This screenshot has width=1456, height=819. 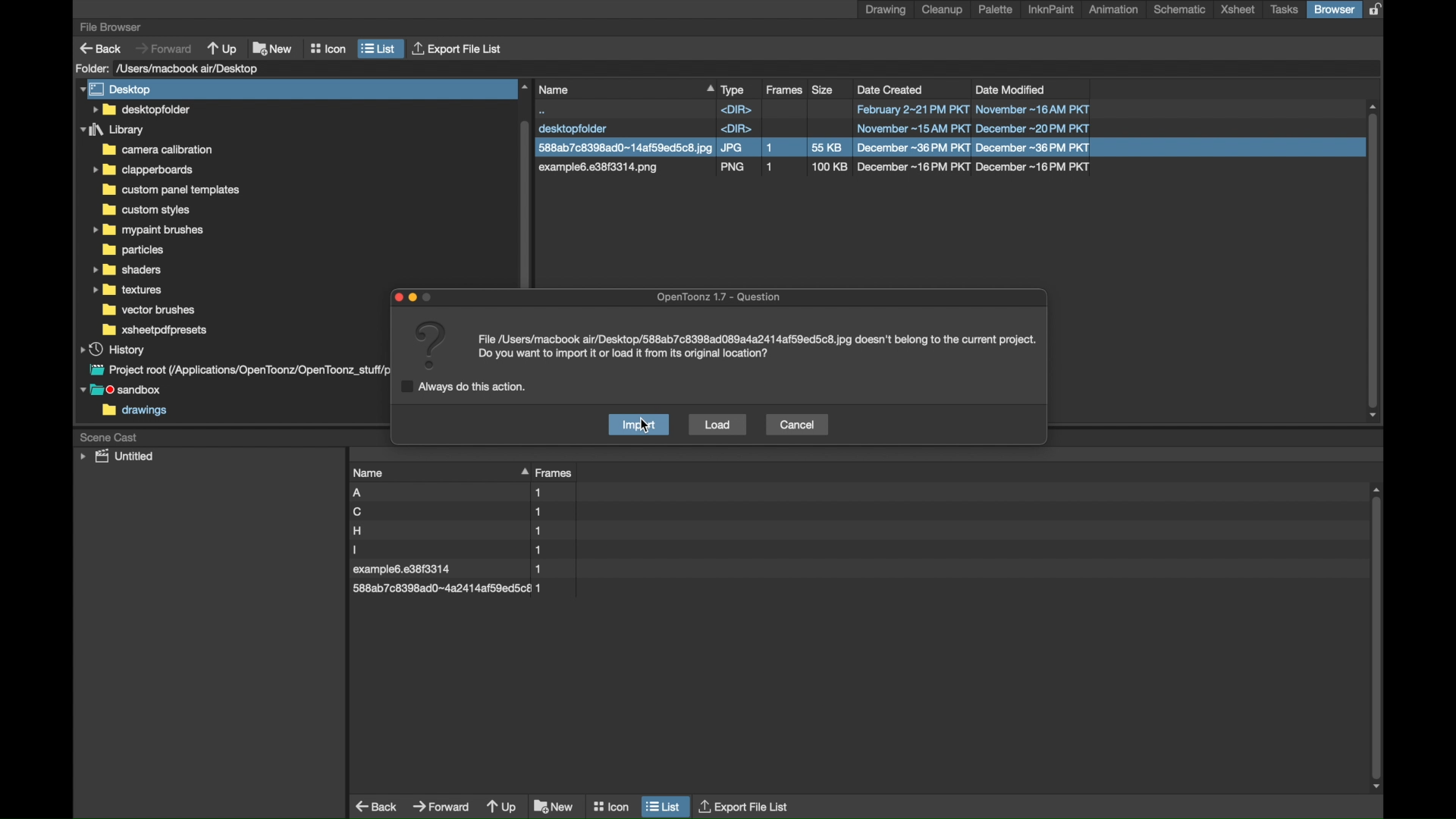 What do you see at coordinates (1374, 262) in the screenshot?
I see `scroll box` at bounding box center [1374, 262].